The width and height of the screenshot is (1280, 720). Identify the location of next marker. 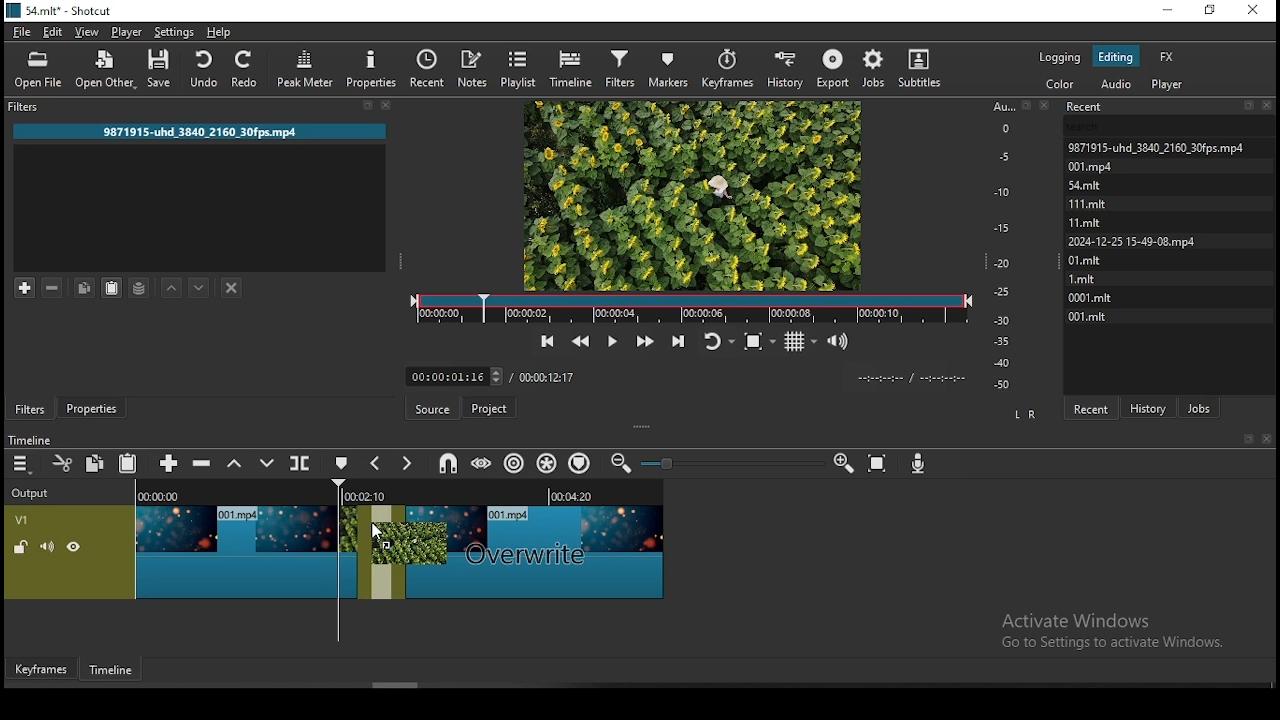
(404, 465).